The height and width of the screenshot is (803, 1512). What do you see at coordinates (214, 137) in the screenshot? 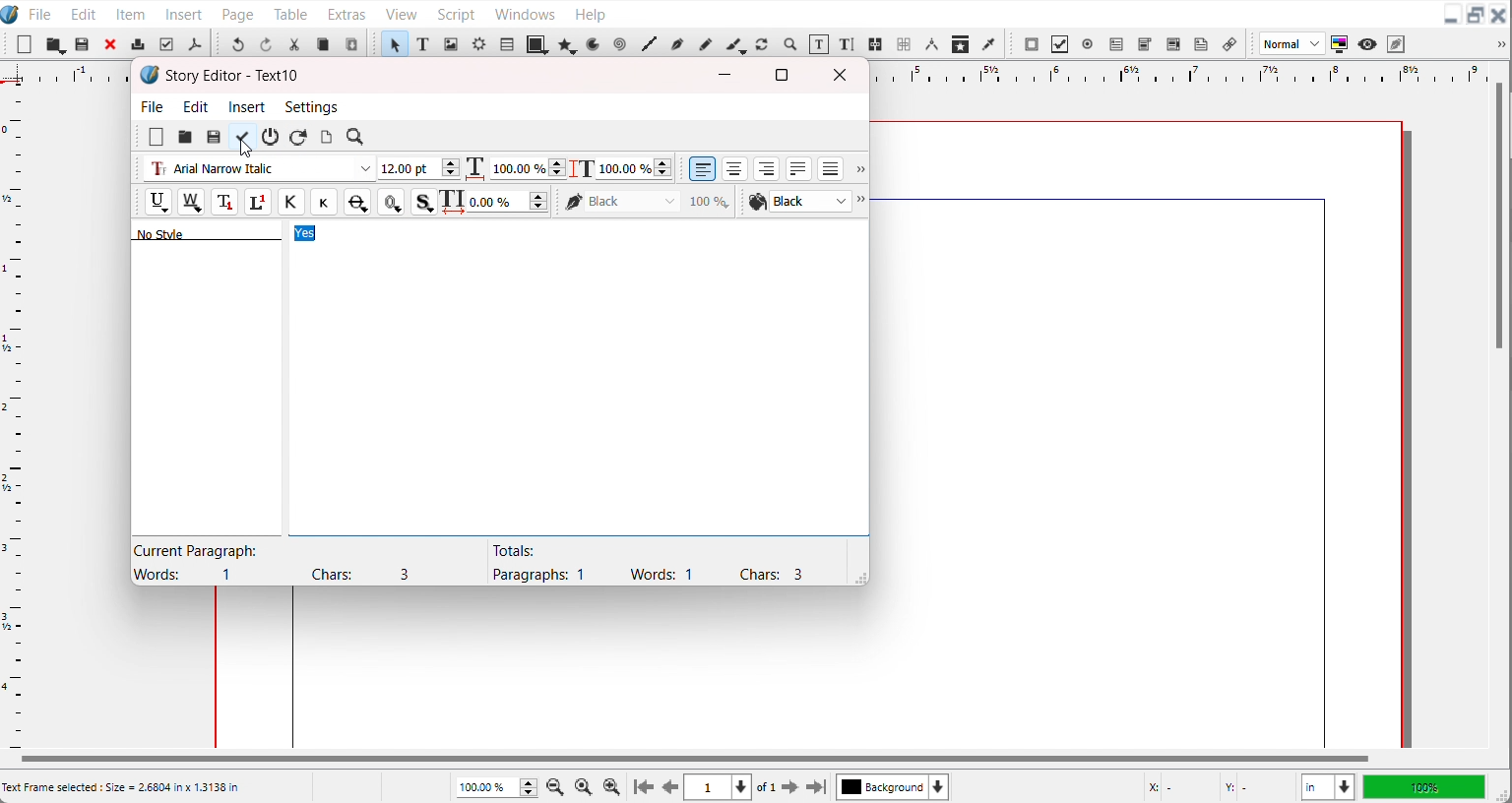
I see `Save` at bounding box center [214, 137].